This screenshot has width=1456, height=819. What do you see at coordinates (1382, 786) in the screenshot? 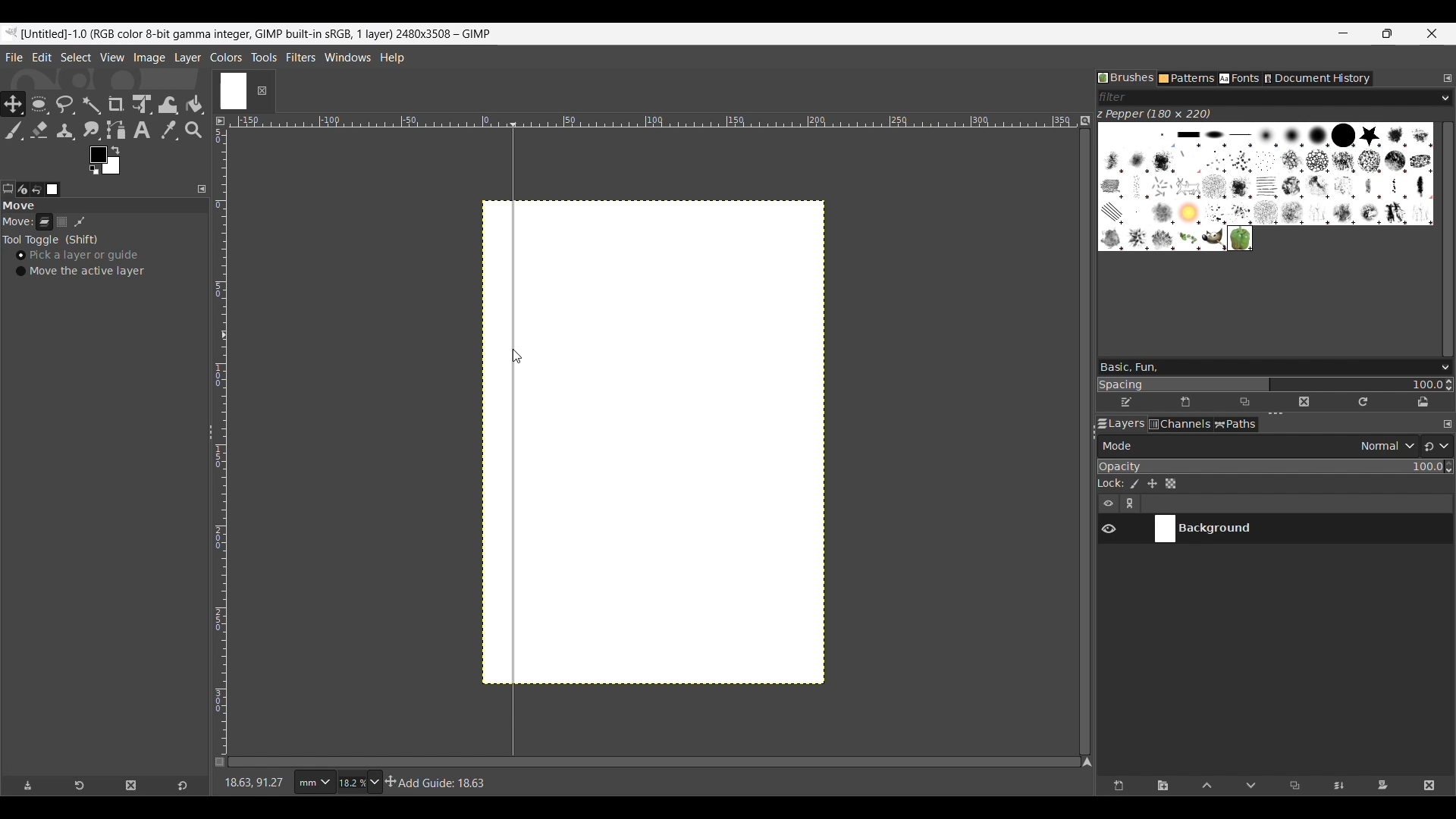
I see `Add mask that allows non-destructive editing of transparency` at bounding box center [1382, 786].